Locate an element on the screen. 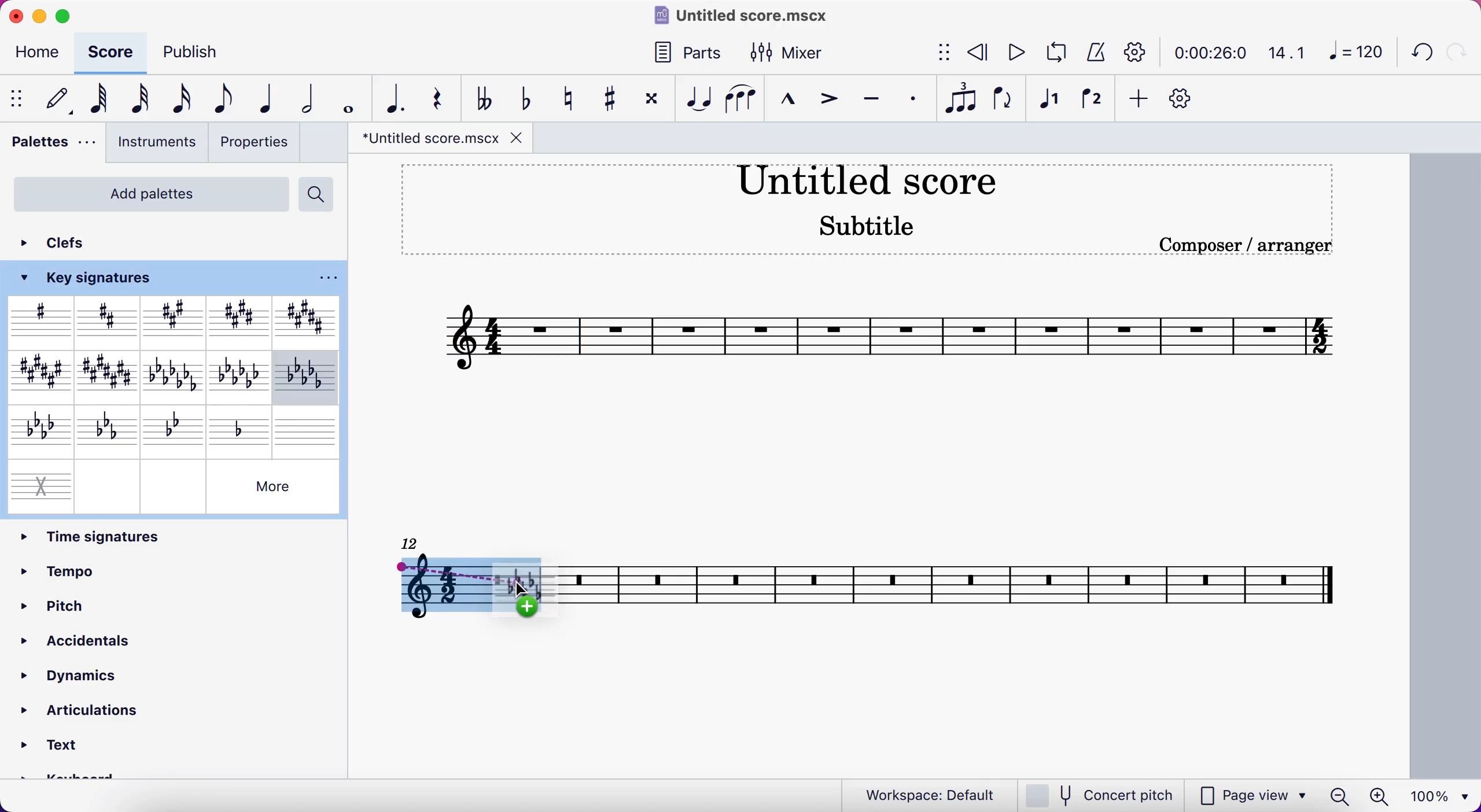 This screenshot has width=1481, height=812. Composer / arranger is located at coordinates (1236, 245).